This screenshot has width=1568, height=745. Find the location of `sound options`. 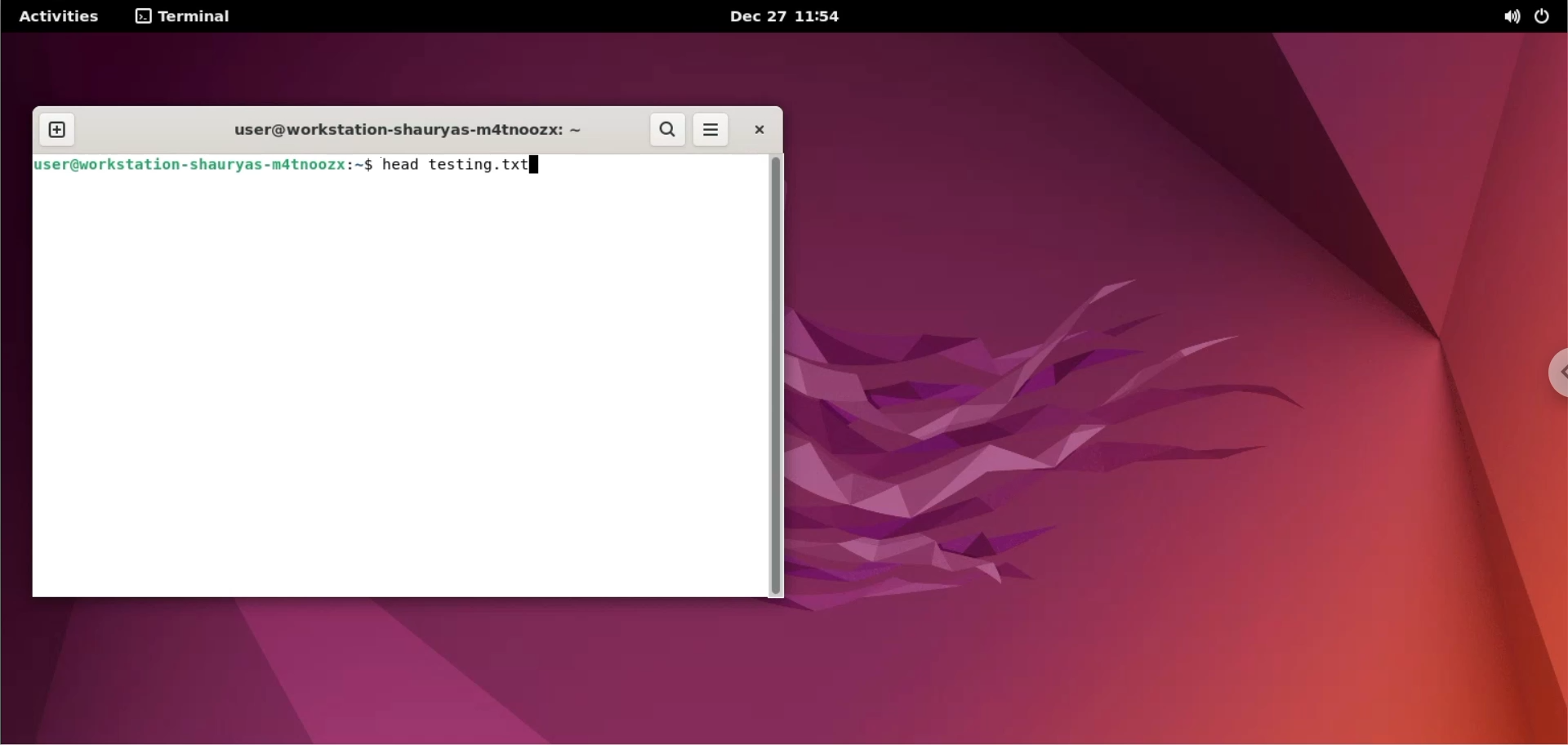

sound options is located at coordinates (1511, 16).